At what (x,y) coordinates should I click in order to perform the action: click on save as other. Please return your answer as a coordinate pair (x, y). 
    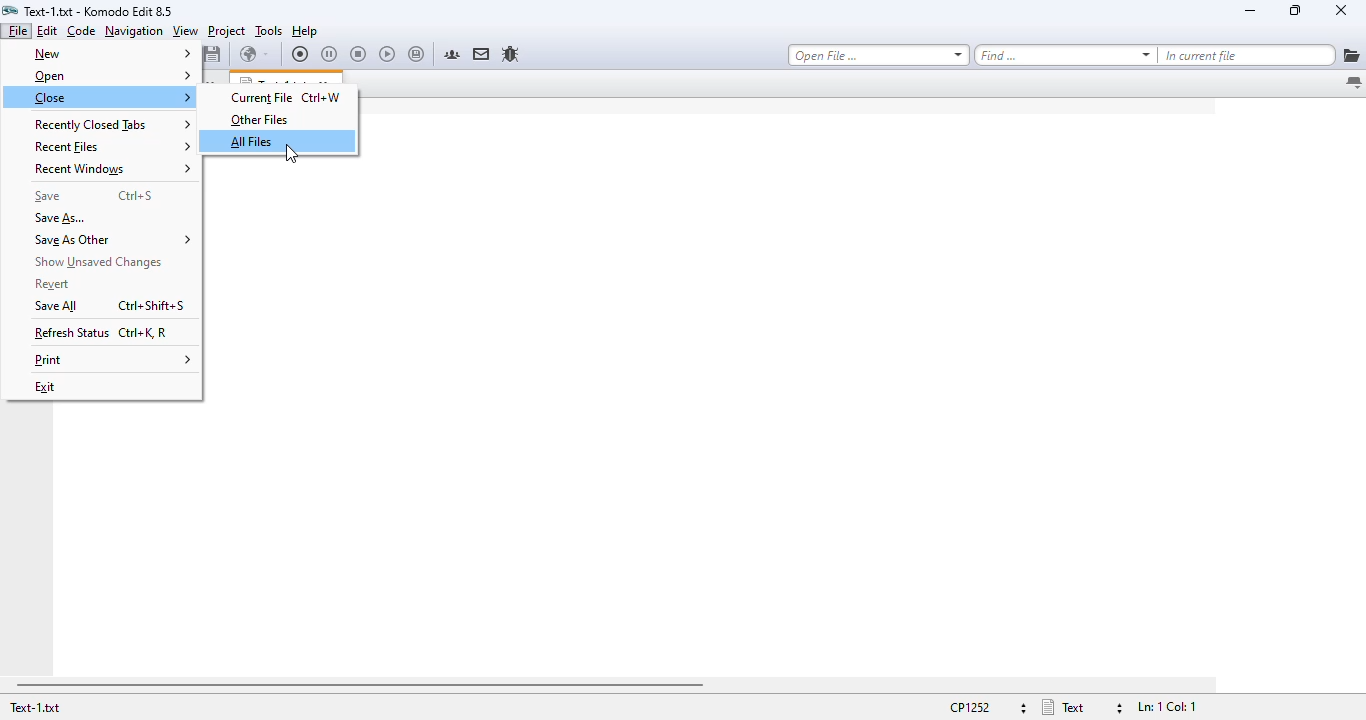
    Looking at the image, I should click on (114, 240).